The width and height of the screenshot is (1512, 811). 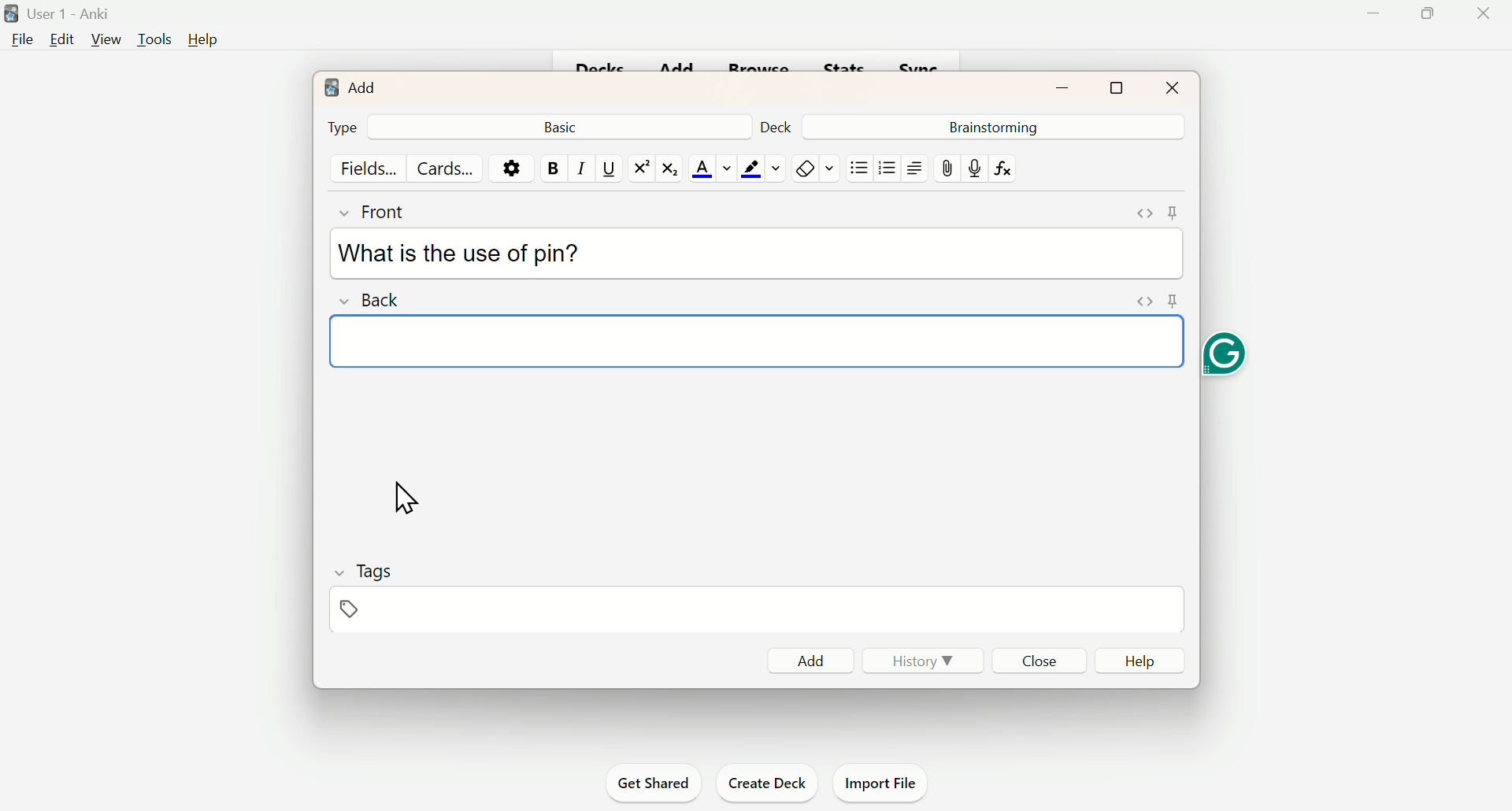 I want to click on Bold, so click(x=552, y=168).